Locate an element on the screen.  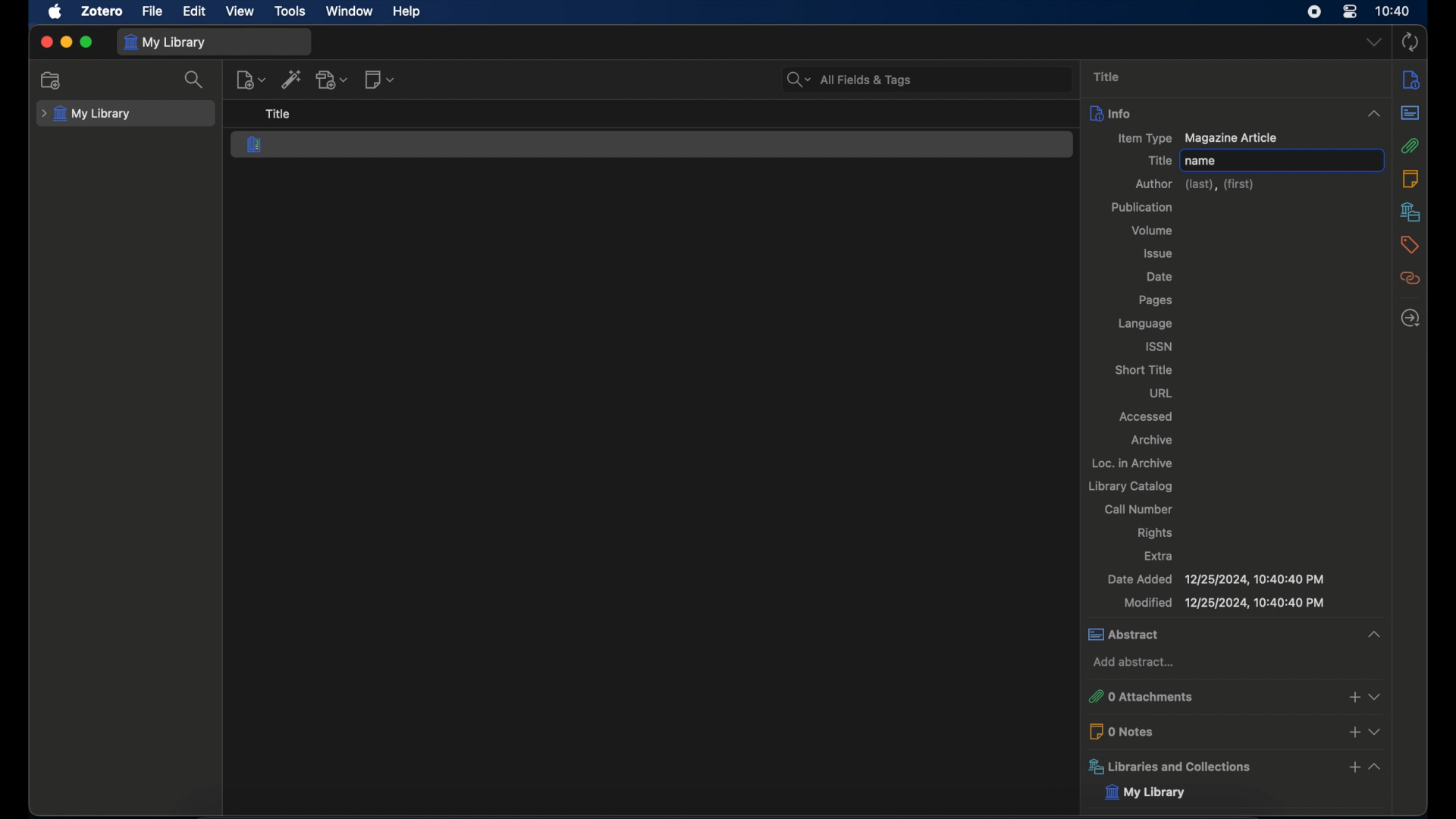
search is located at coordinates (195, 80).